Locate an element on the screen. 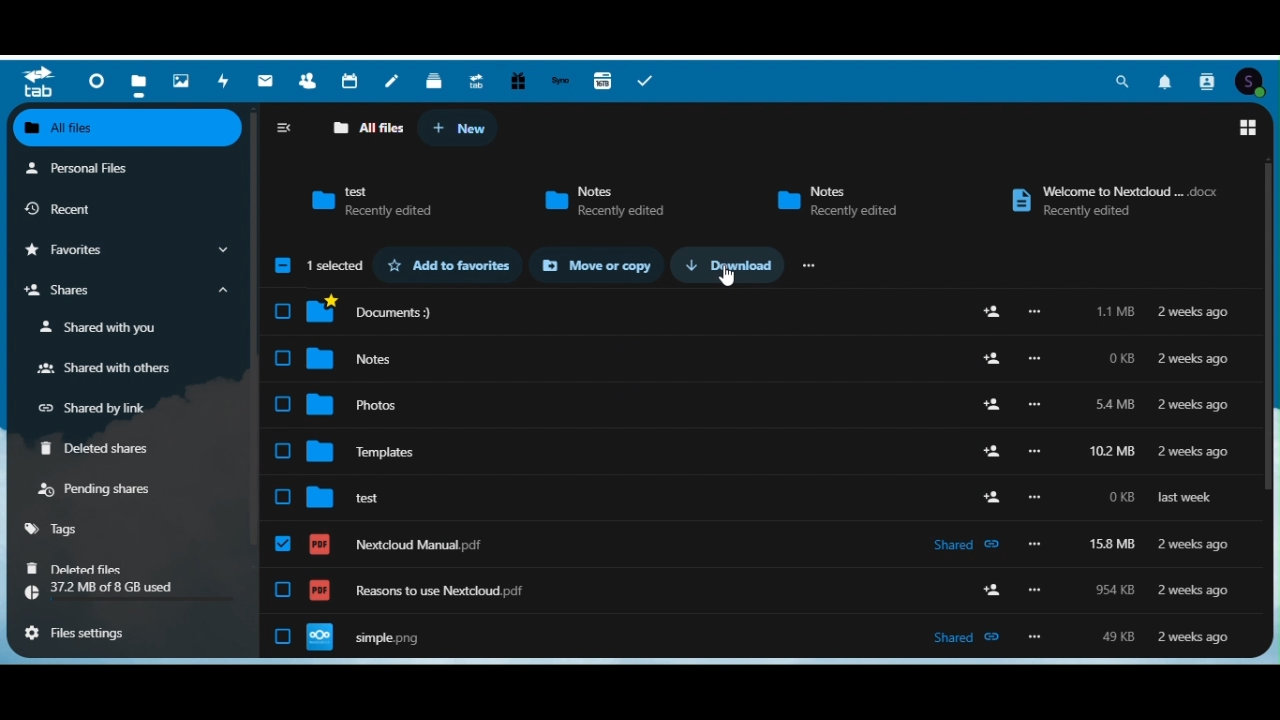 This screenshot has height=720, width=1280.  is located at coordinates (135, 597).